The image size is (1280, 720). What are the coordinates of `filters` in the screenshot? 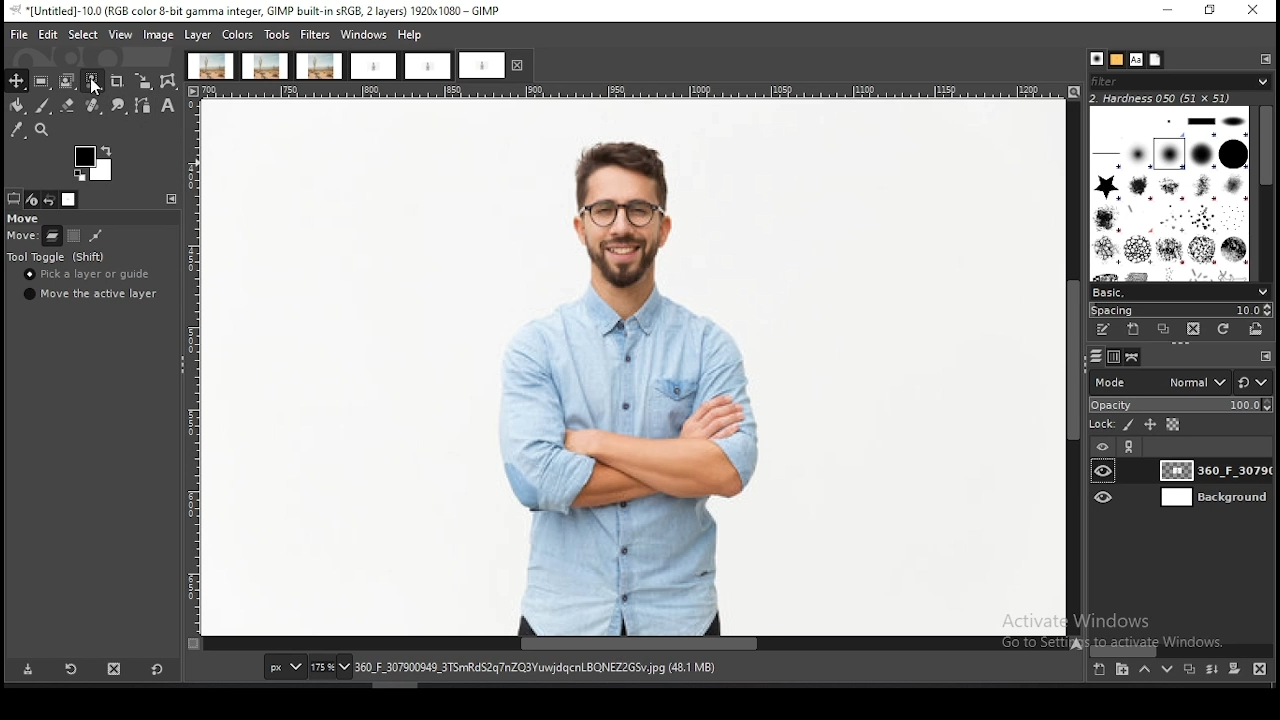 It's located at (316, 35).